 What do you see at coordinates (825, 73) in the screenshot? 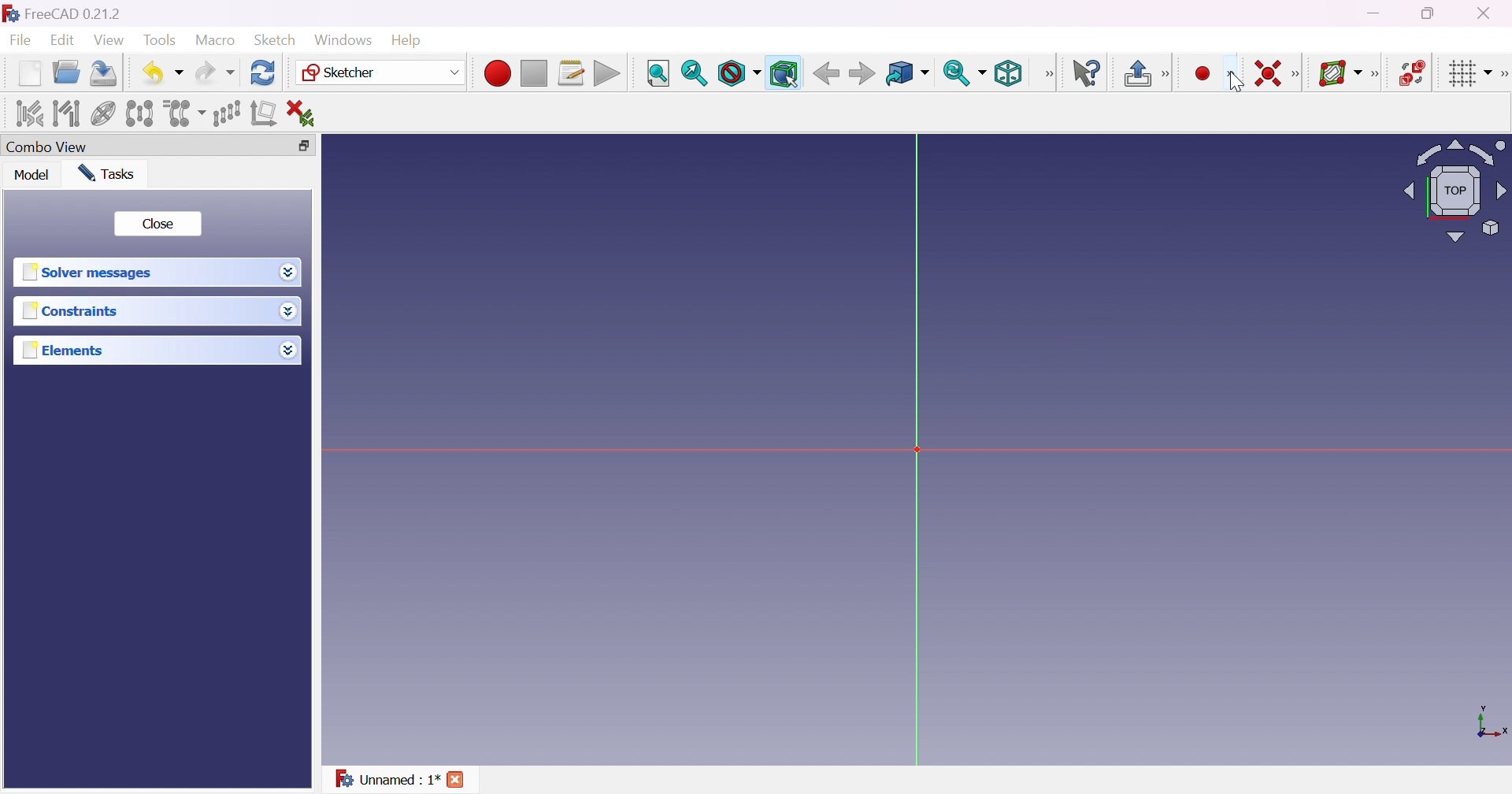
I see `Back` at bounding box center [825, 73].